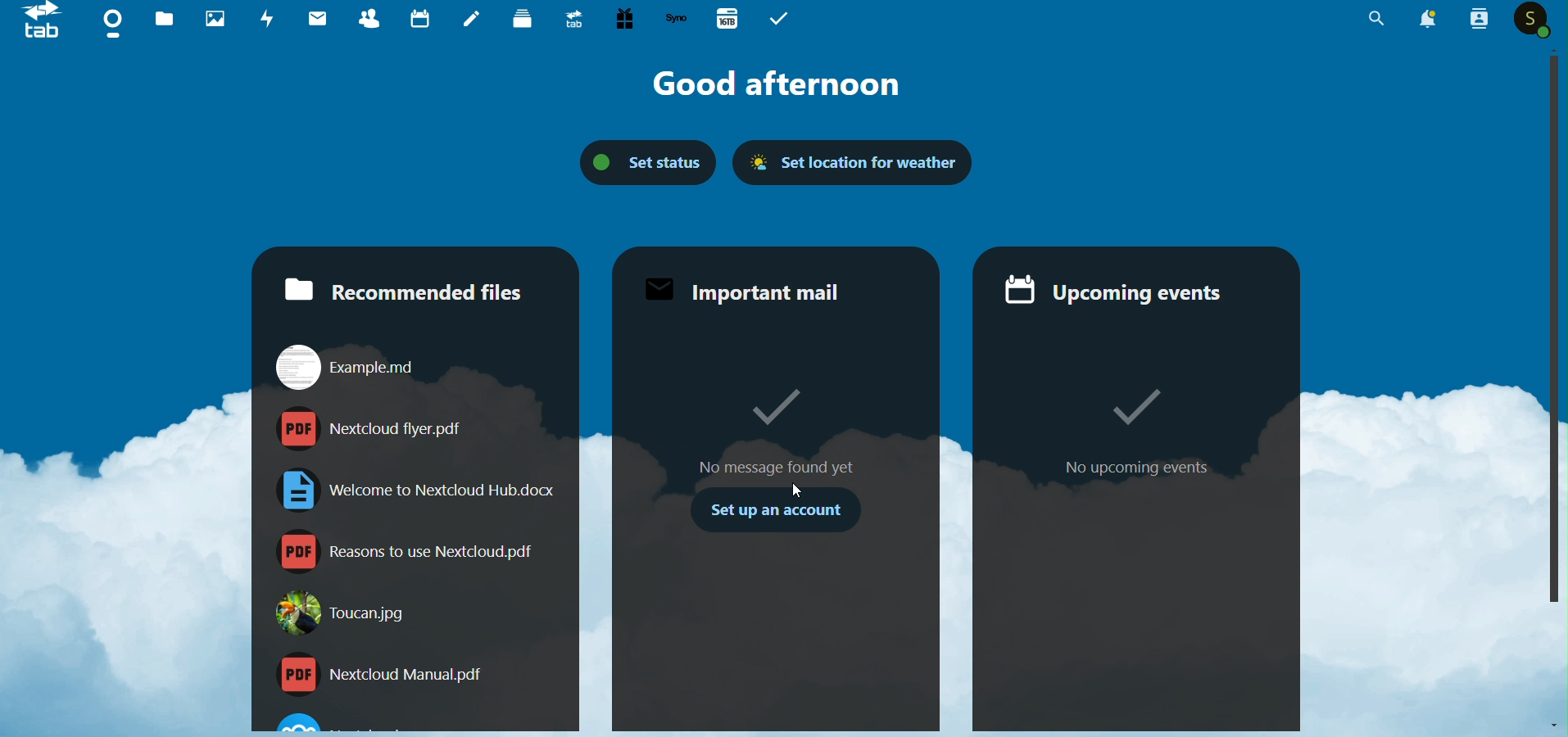  What do you see at coordinates (1131, 518) in the screenshot?
I see `No upcoming events` at bounding box center [1131, 518].